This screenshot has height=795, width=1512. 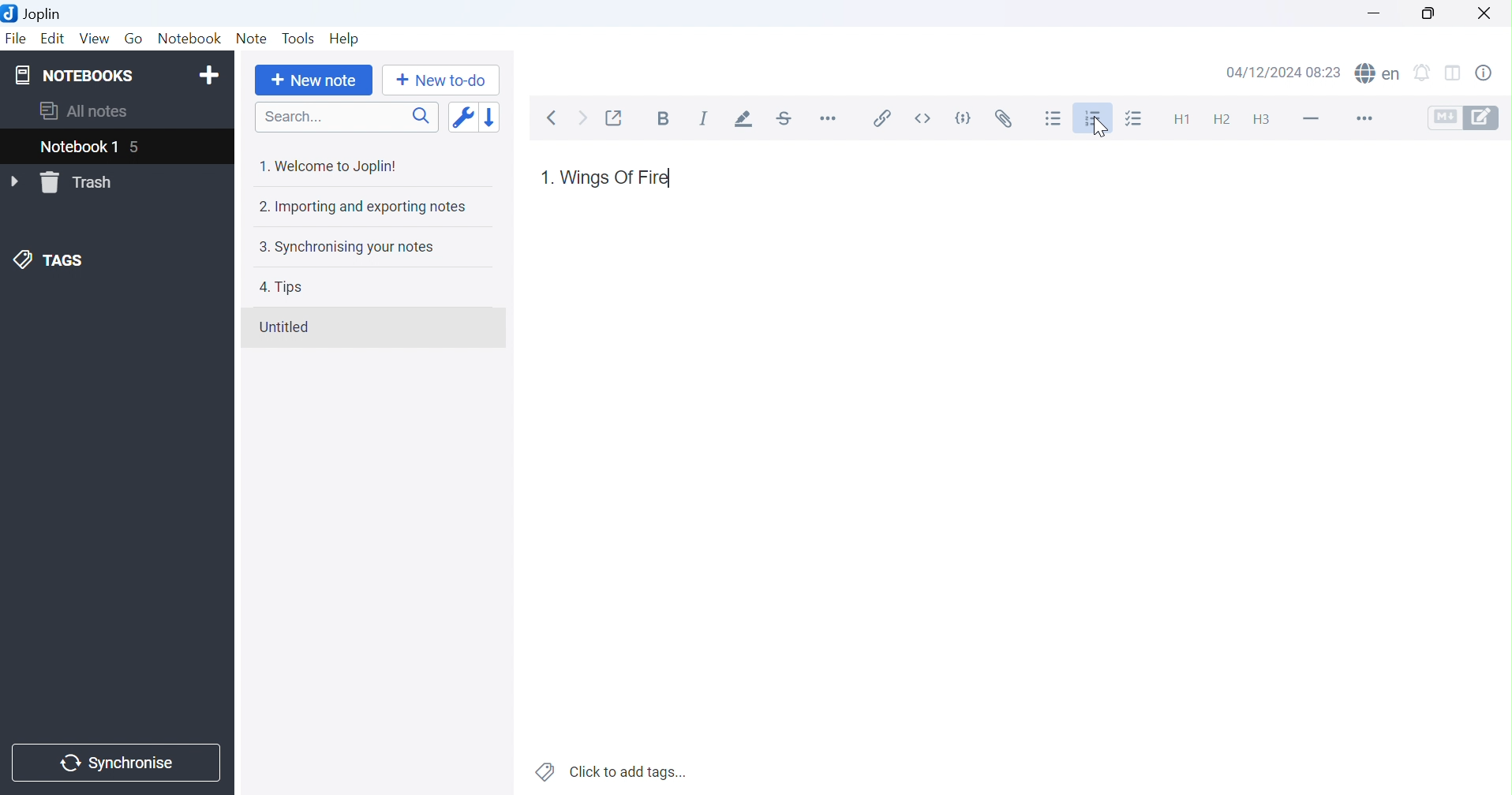 I want to click on TAGS, so click(x=51, y=261).